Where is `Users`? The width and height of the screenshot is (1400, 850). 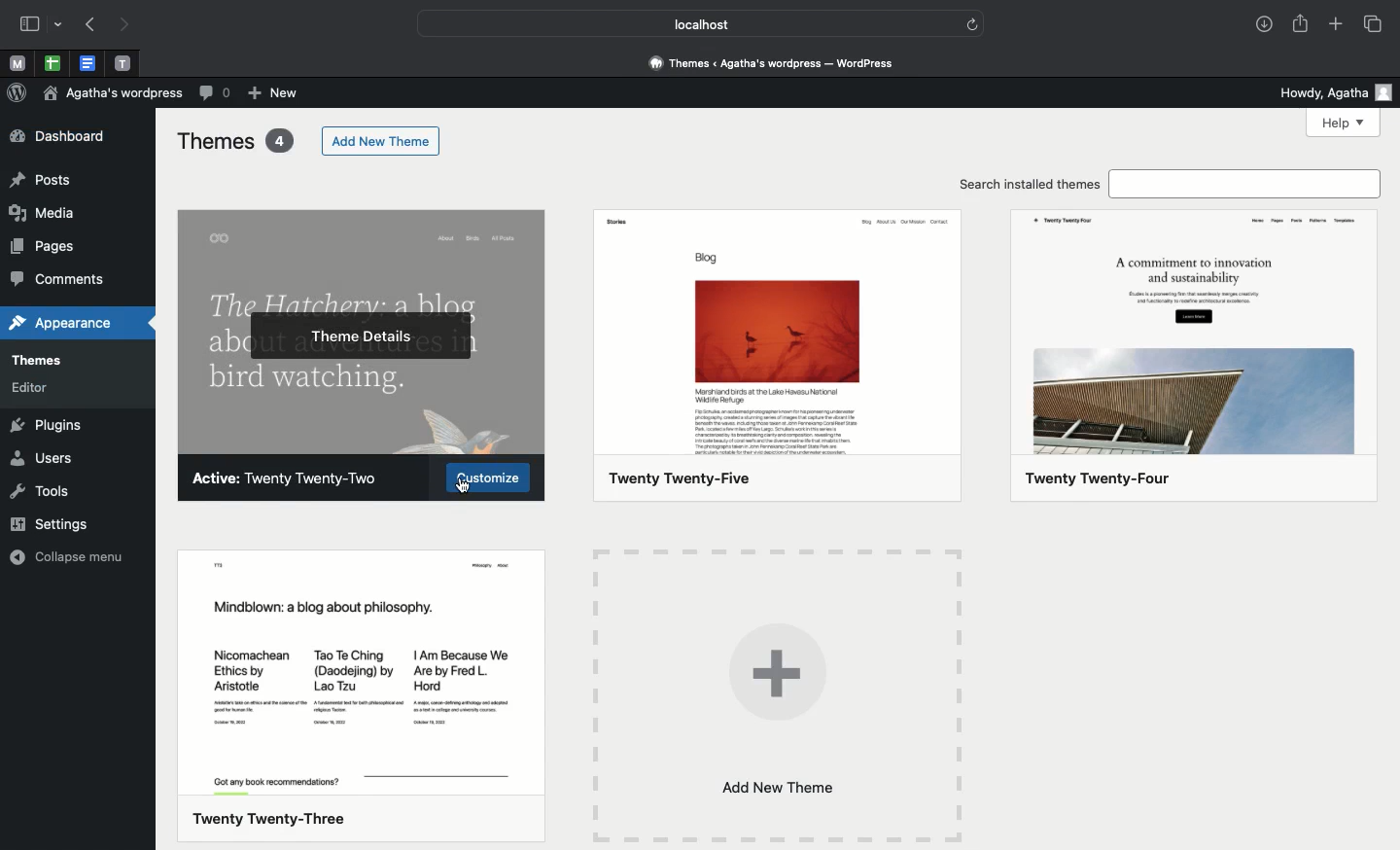
Users is located at coordinates (40, 458).